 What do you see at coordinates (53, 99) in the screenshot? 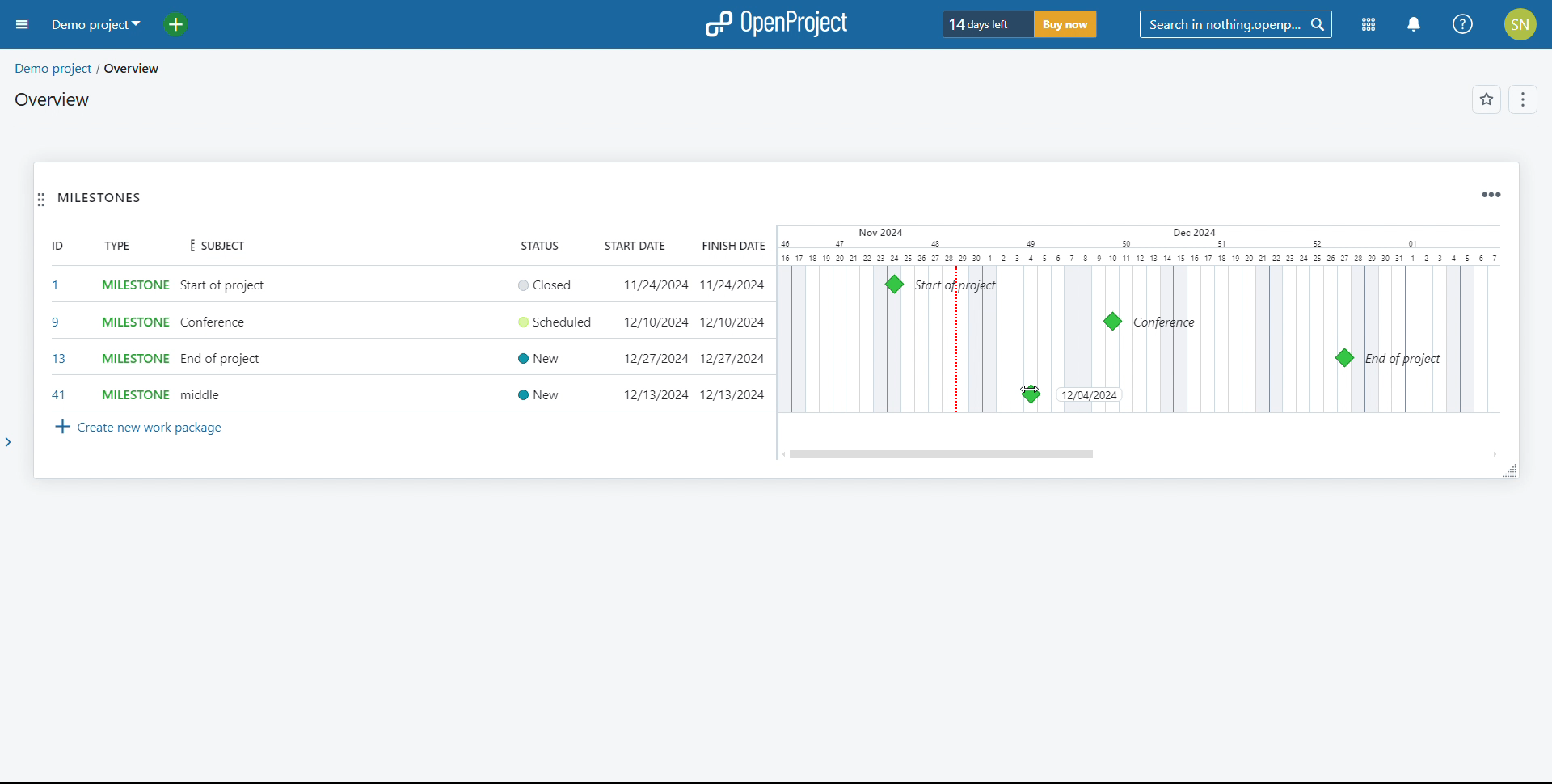
I see `overview` at bounding box center [53, 99].